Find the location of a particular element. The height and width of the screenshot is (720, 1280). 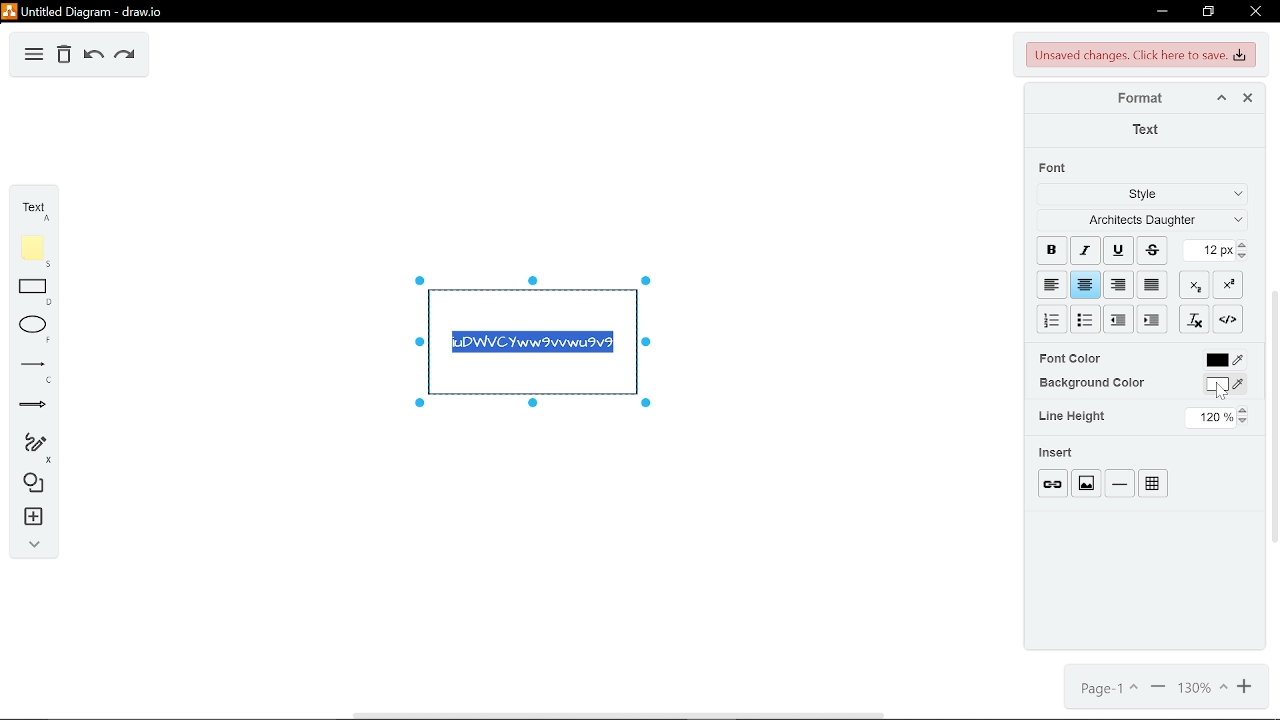

minimize is located at coordinates (1162, 13).